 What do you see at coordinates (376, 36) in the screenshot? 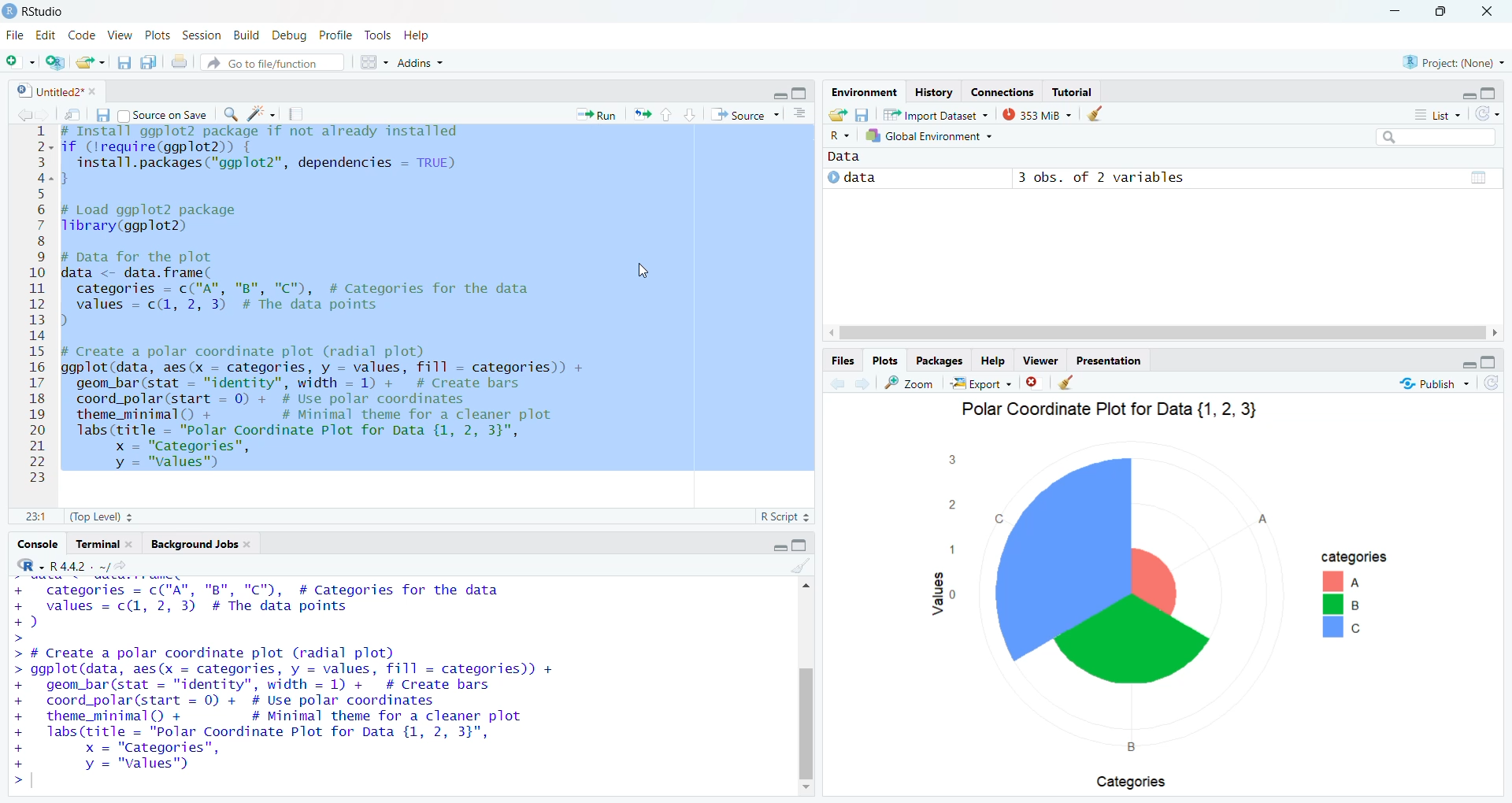
I see ` Tools` at bounding box center [376, 36].